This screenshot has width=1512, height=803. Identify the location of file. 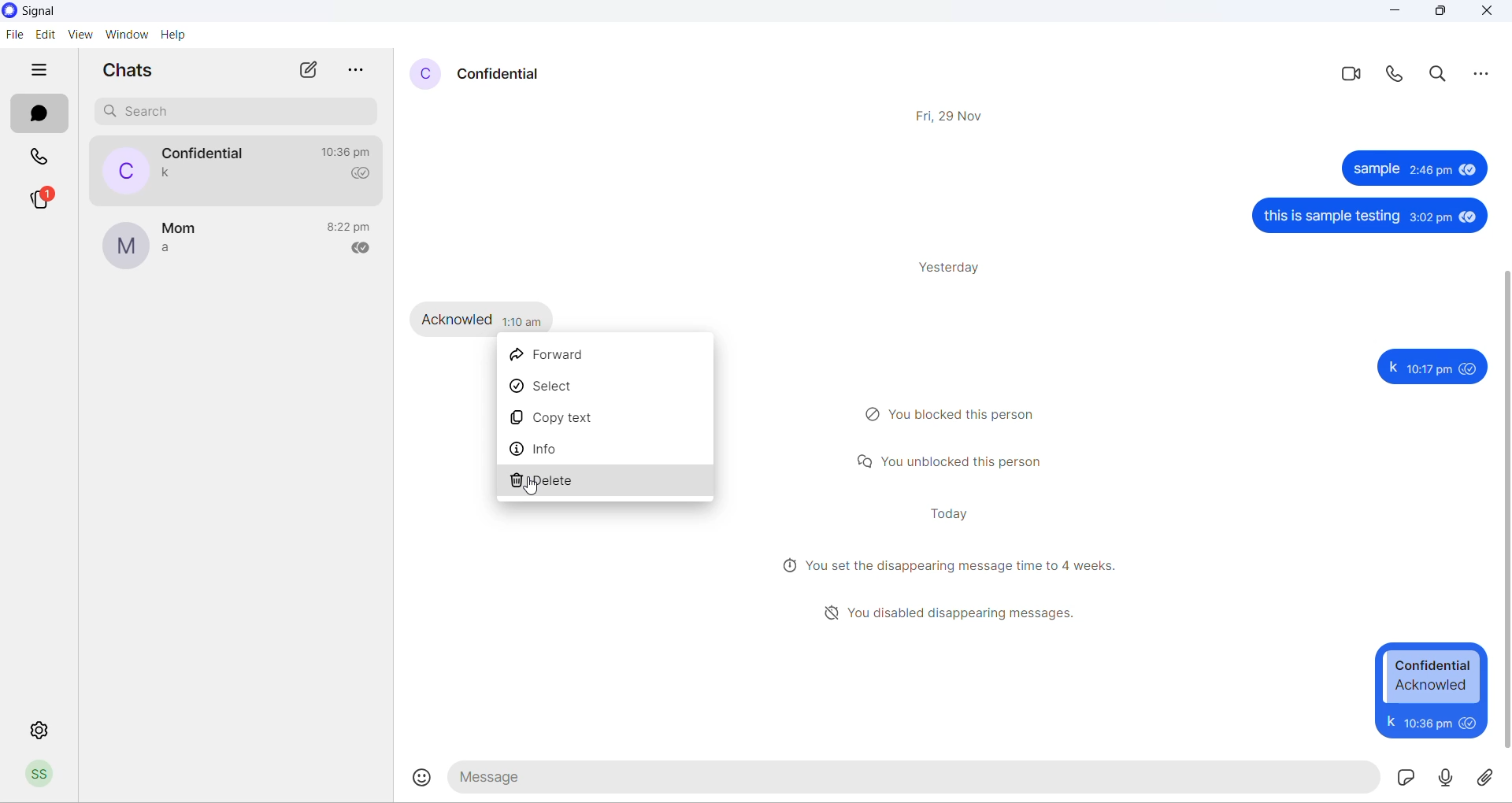
(14, 35).